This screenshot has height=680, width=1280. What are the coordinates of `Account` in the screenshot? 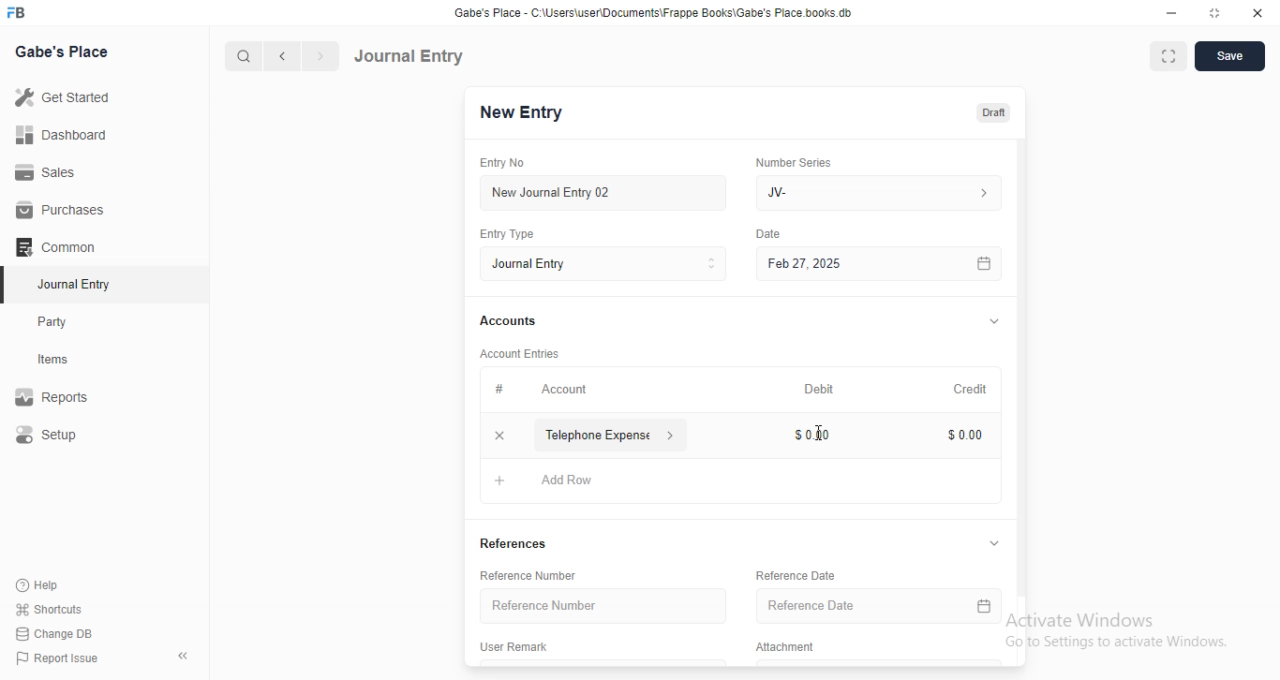 It's located at (565, 390).